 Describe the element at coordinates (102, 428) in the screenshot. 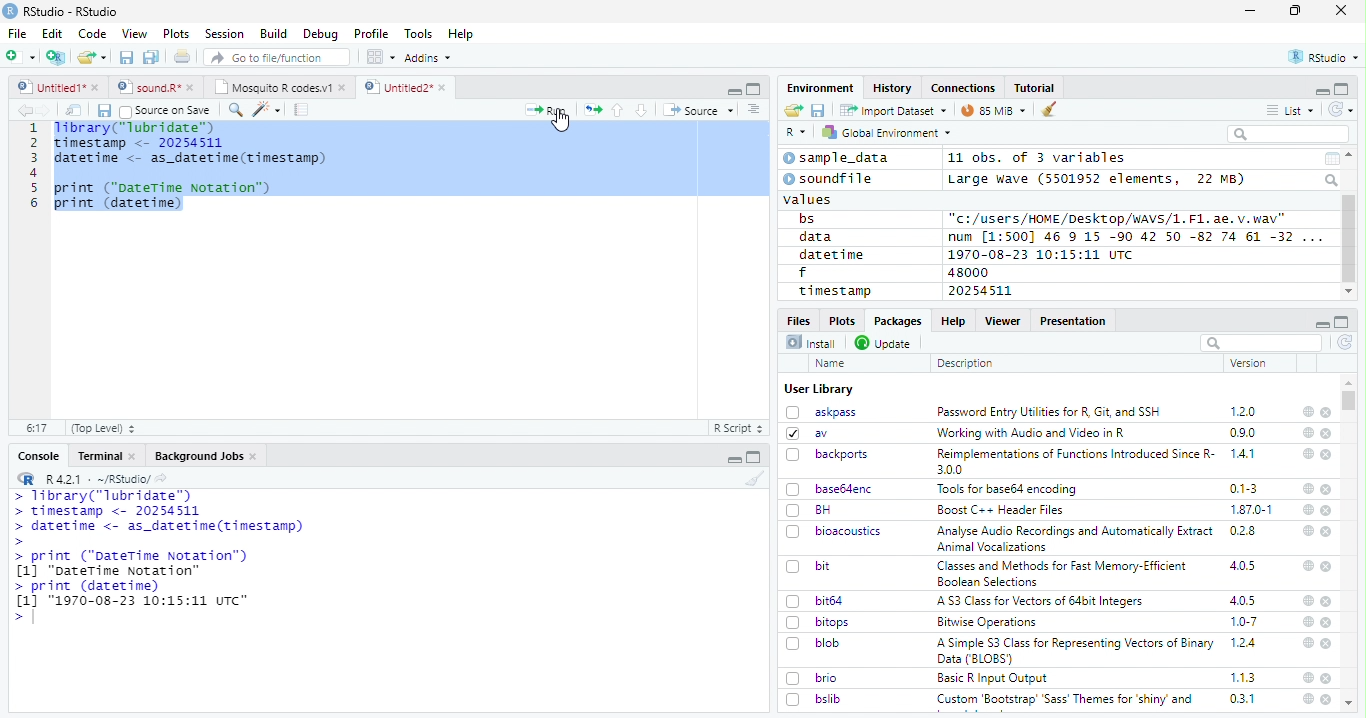

I see `(Top Level)` at that location.